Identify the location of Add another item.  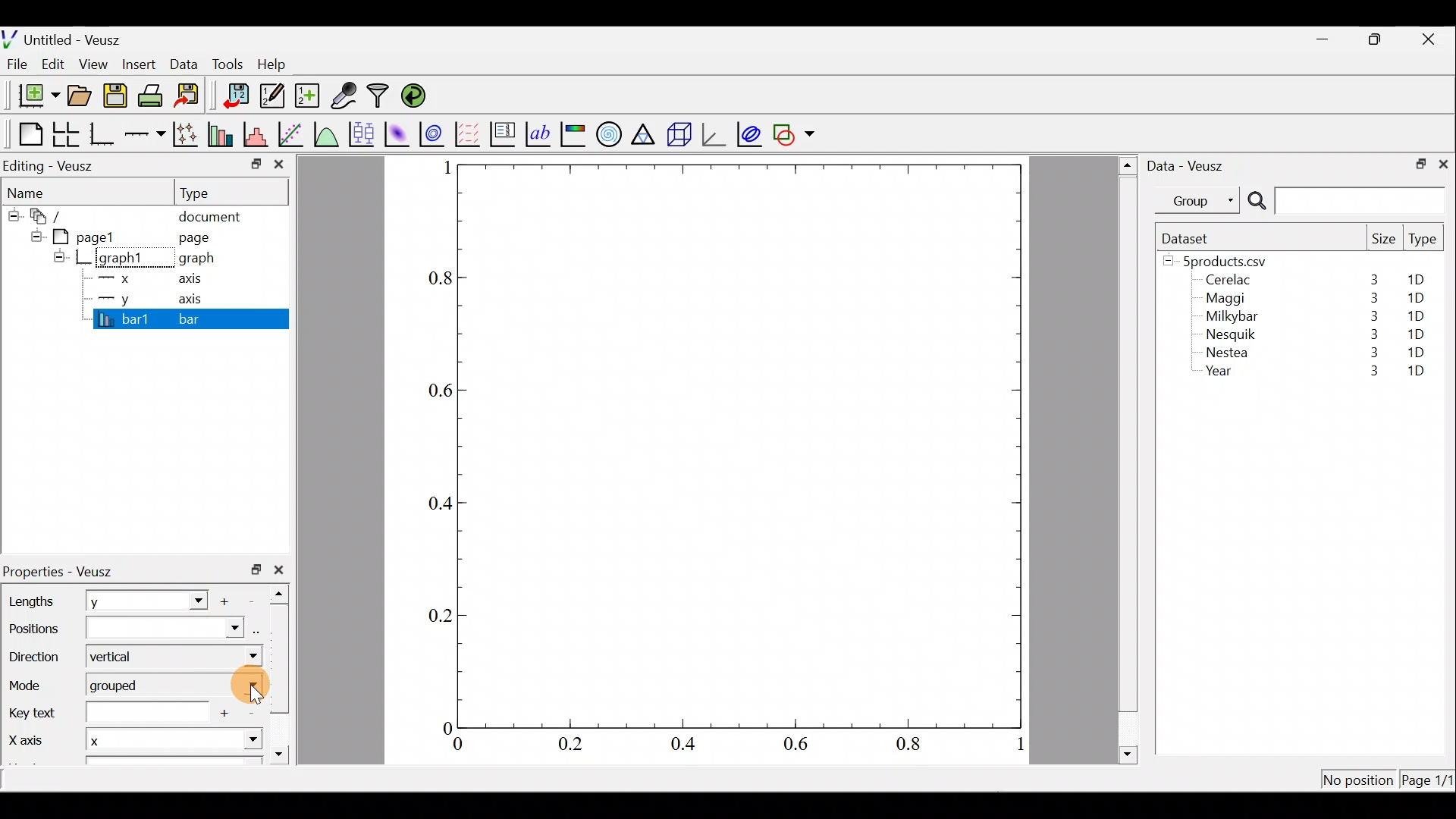
(229, 601).